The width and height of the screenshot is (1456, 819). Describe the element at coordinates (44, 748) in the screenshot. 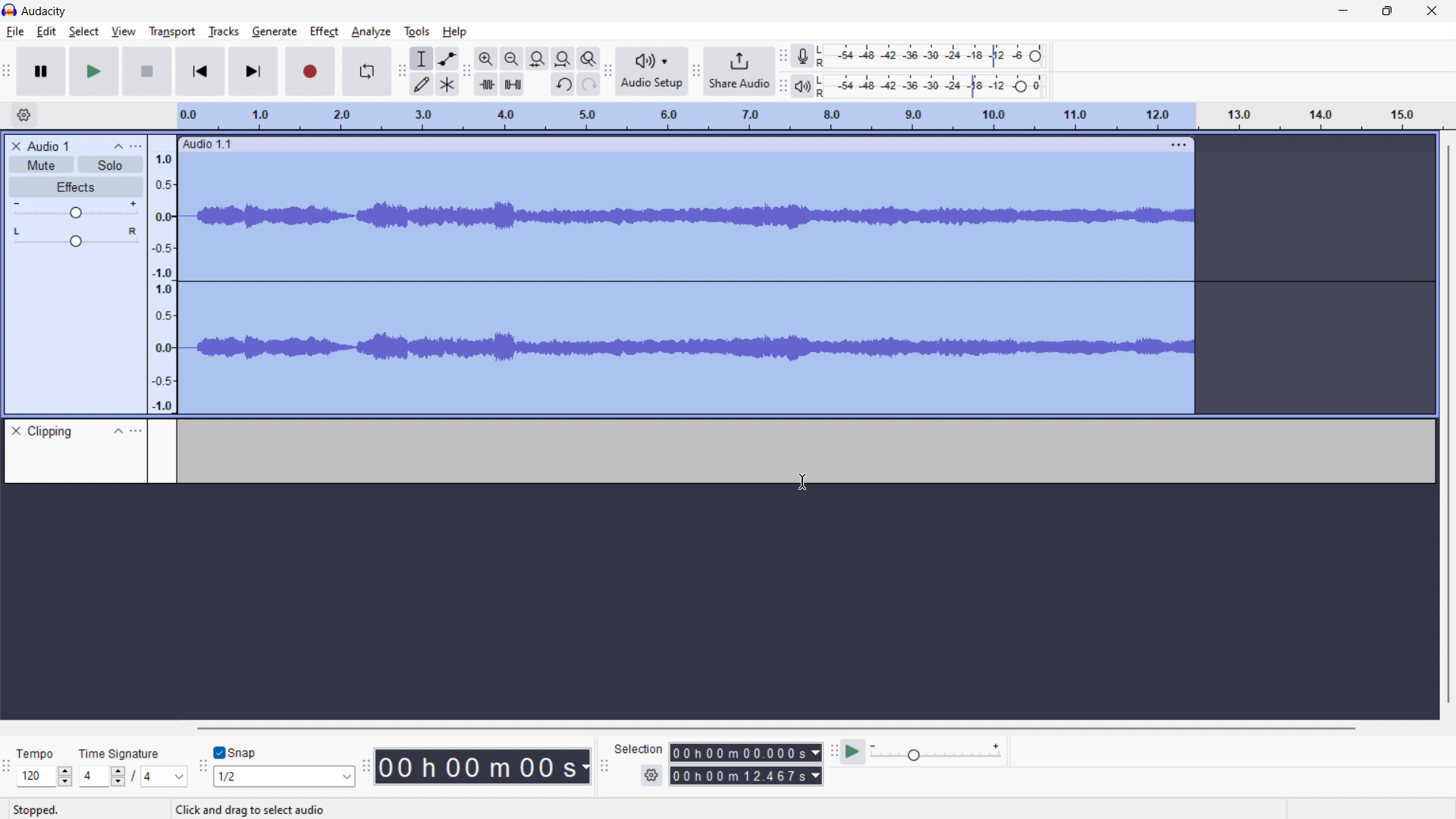

I see `Tempo` at that location.